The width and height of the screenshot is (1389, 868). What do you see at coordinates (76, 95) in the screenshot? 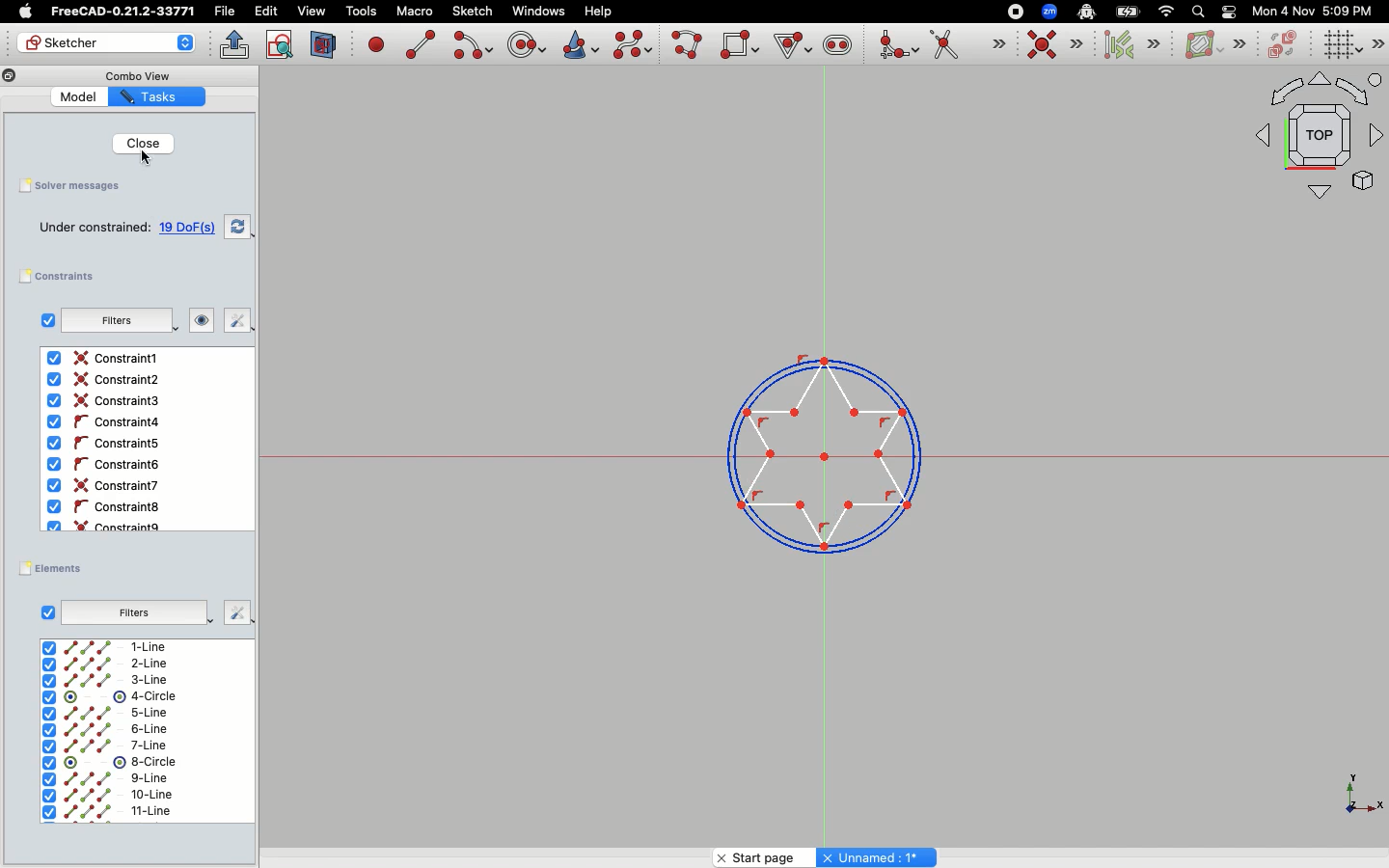
I see `Model` at bounding box center [76, 95].